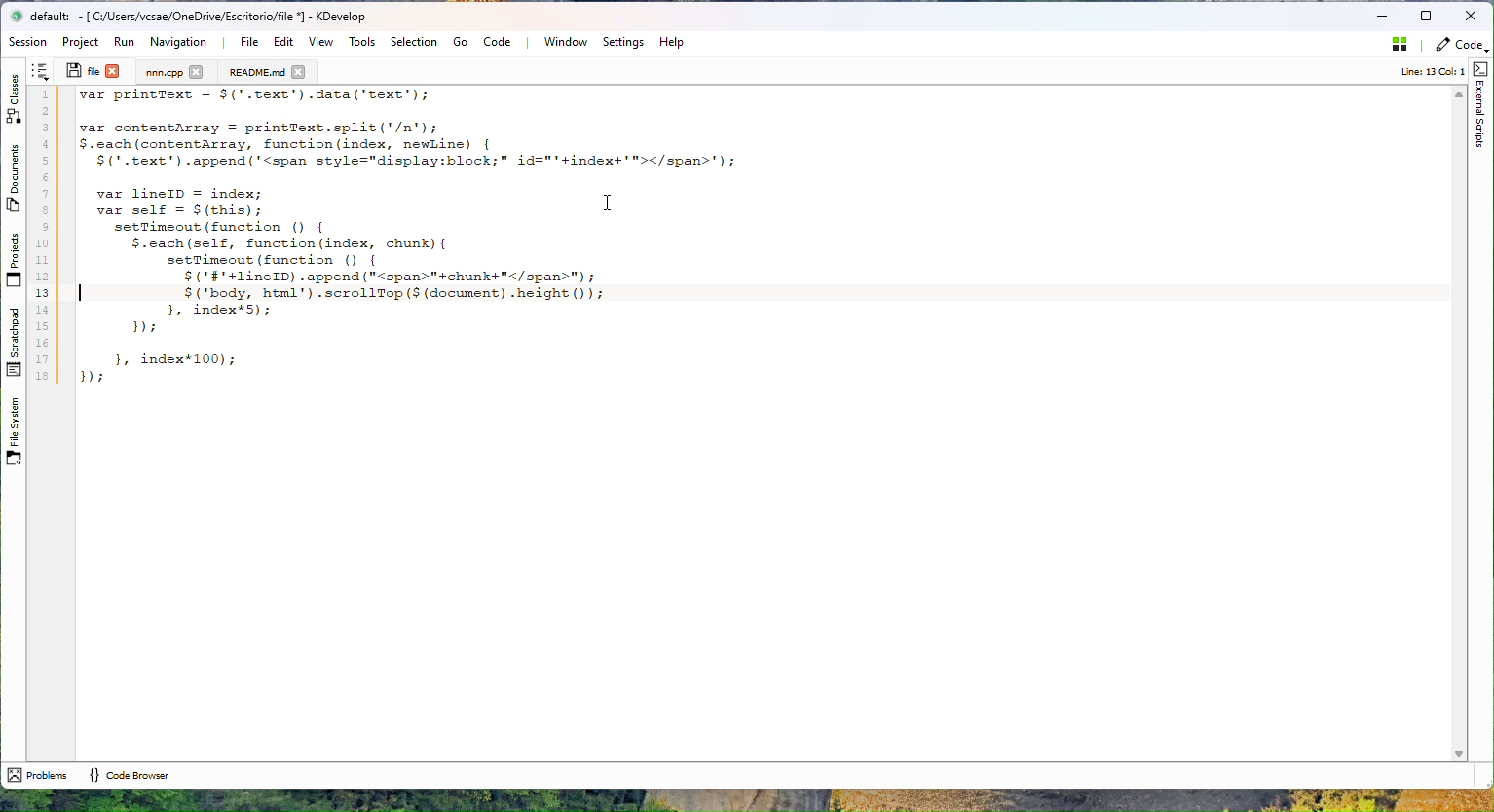 This screenshot has height=812, width=1494. Describe the element at coordinates (209, 17) in the screenshot. I see `application name` at that location.